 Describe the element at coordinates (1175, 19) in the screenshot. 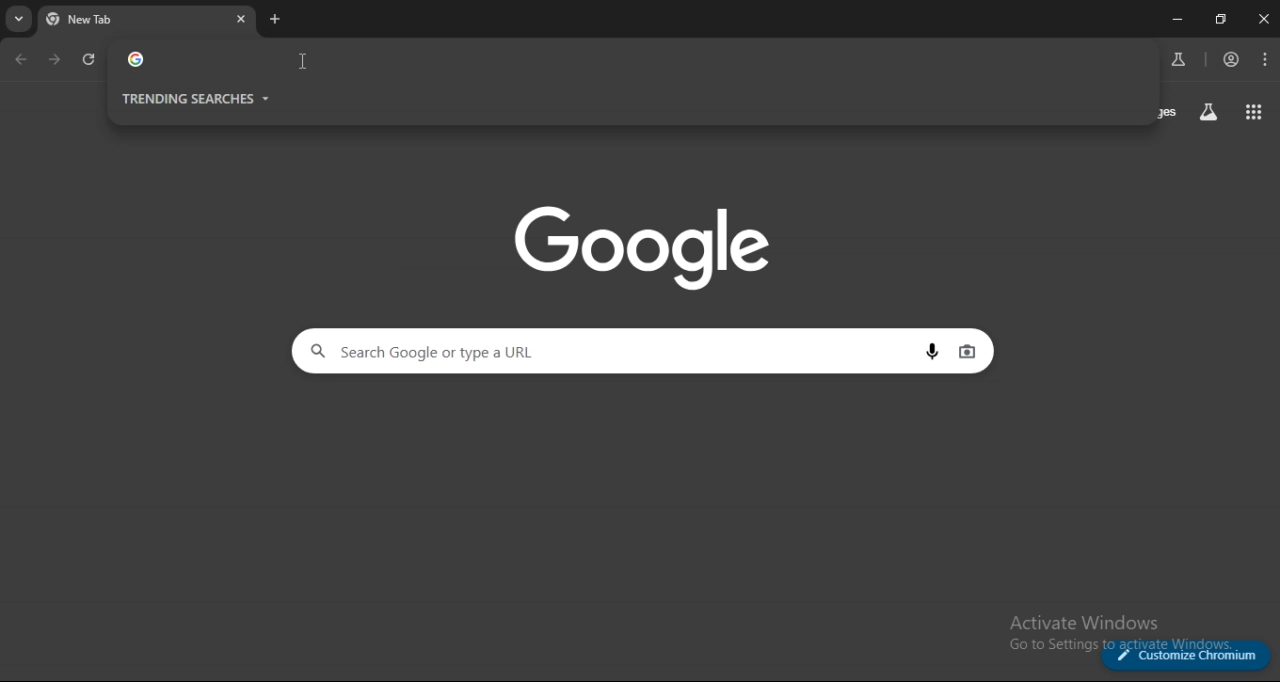

I see `minimize` at that location.